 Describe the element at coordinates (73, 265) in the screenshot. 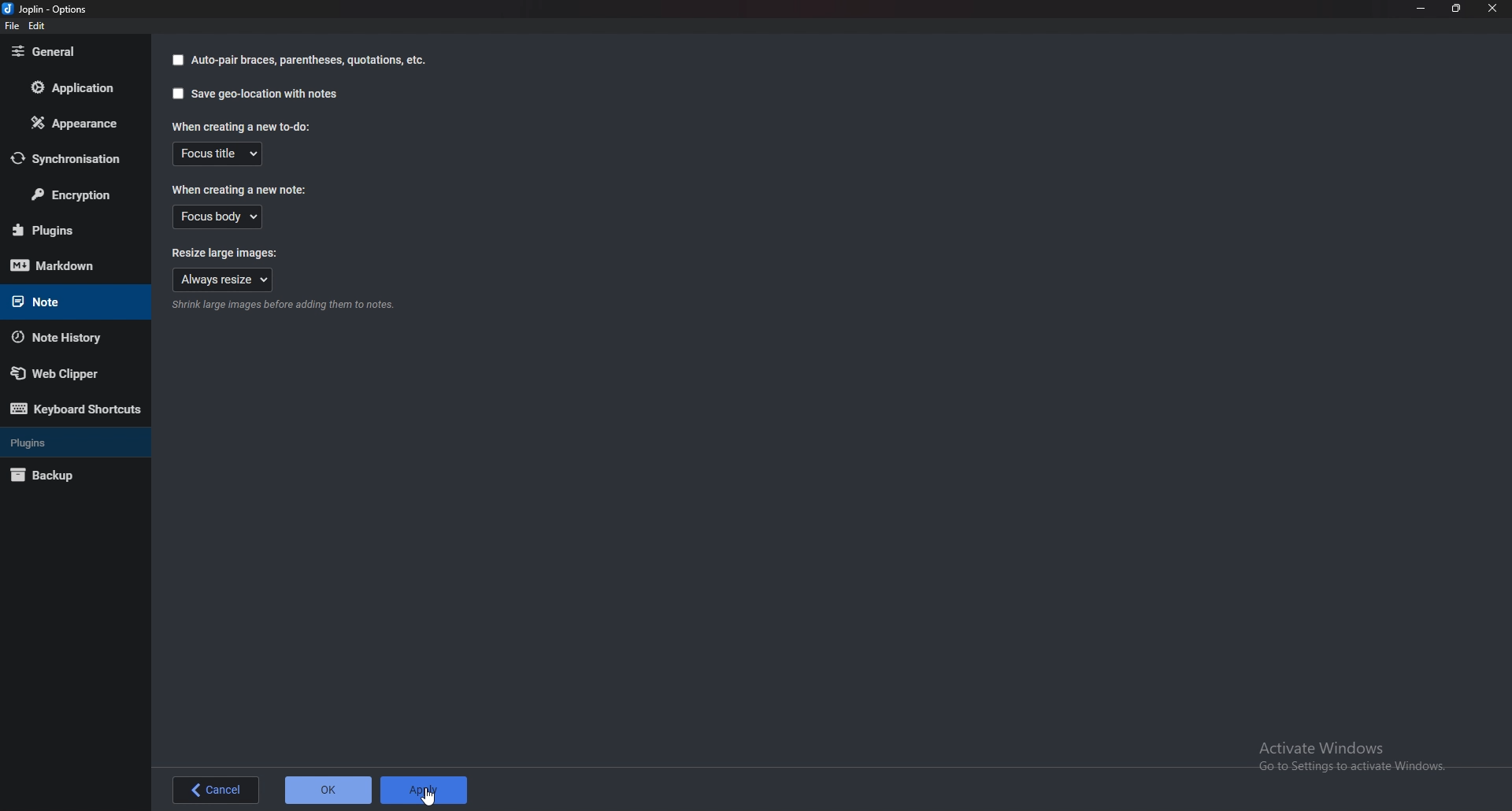

I see `Mark down` at that location.